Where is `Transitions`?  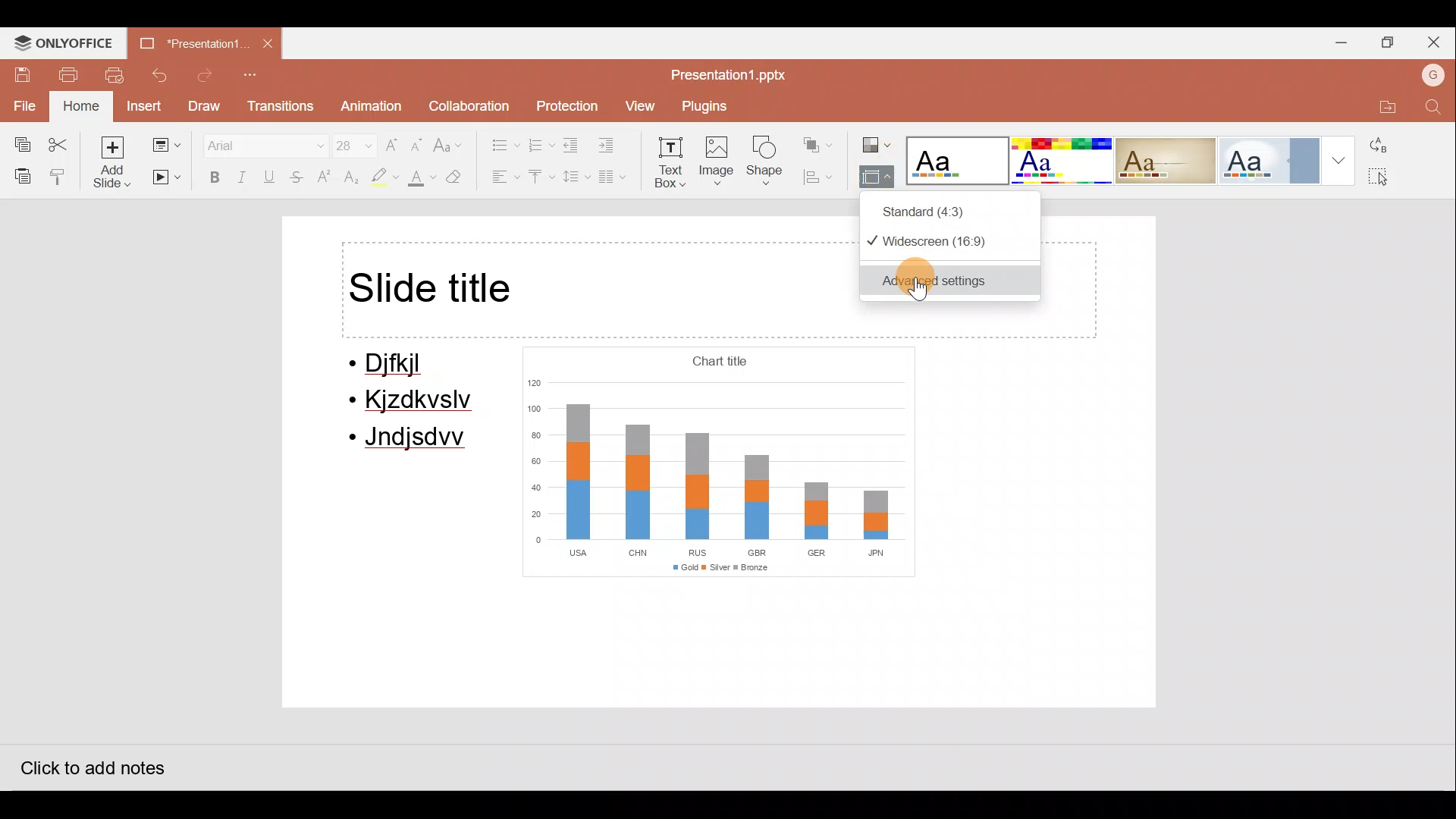
Transitions is located at coordinates (279, 107).